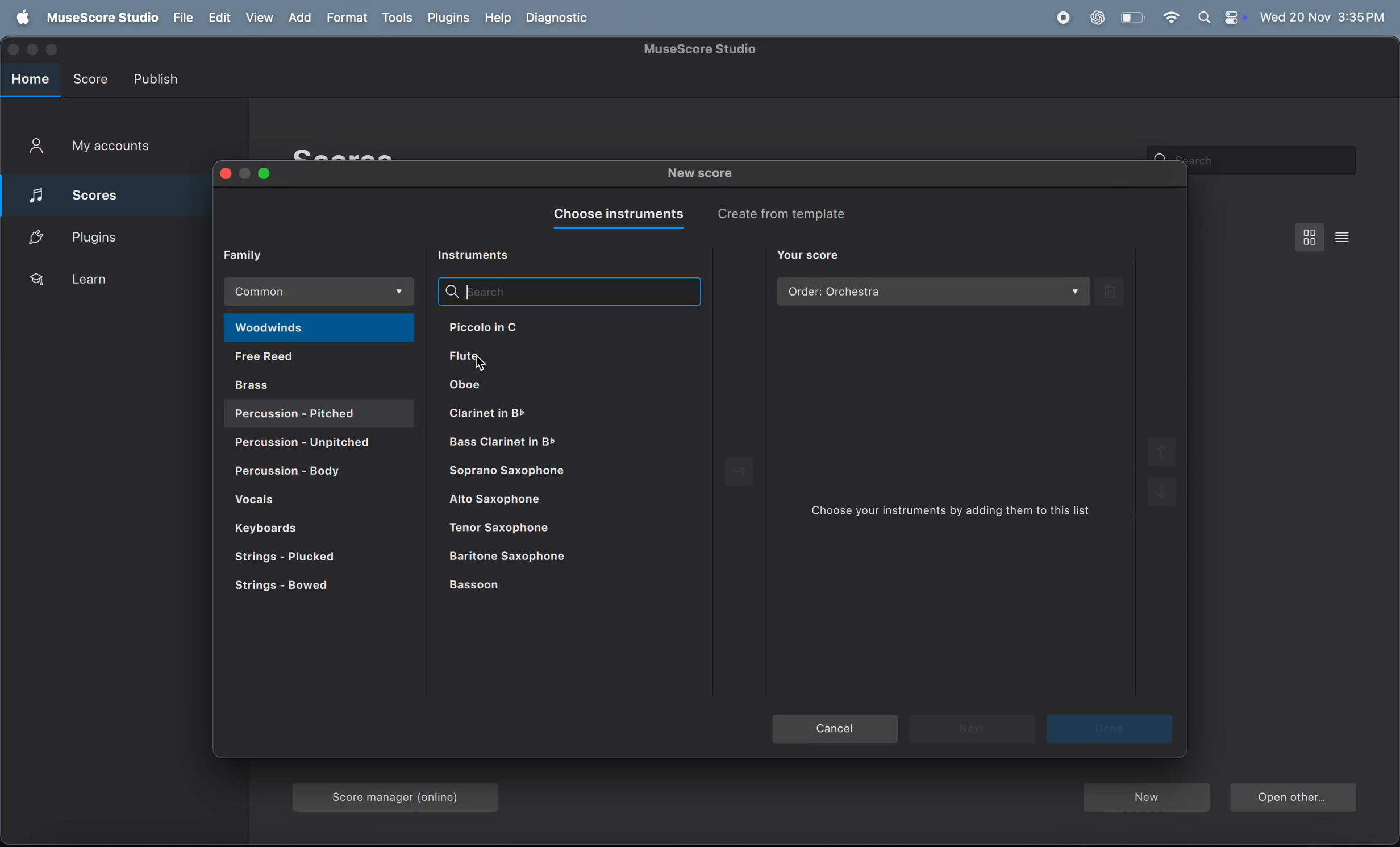  Describe the element at coordinates (1111, 729) in the screenshot. I see `next` at that location.